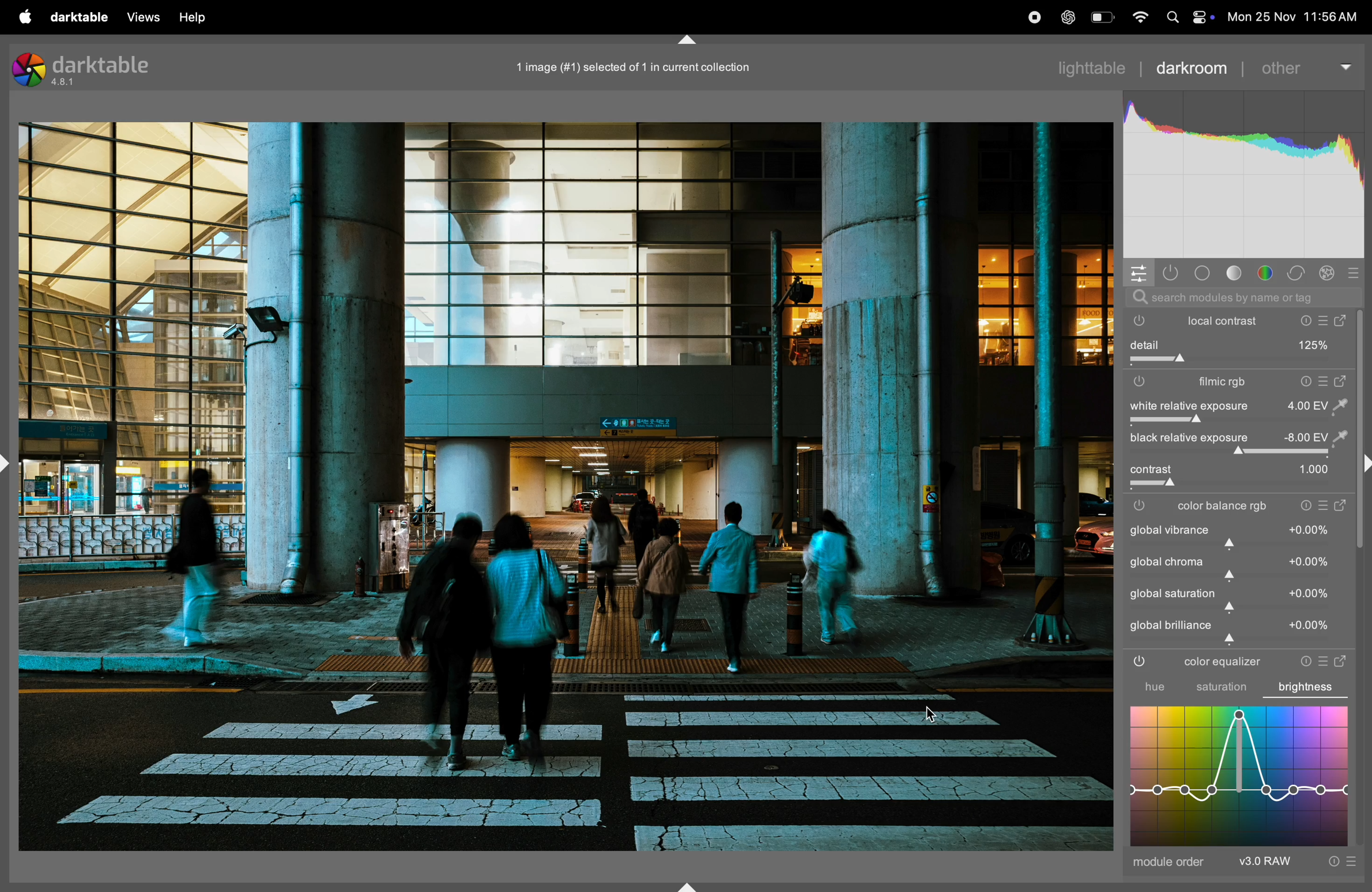 The width and height of the screenshot is (1372, 892). What do you see at coordinates (1242, 577) in the screenshot?
I see `slider` at bounding box center [1242, 577].